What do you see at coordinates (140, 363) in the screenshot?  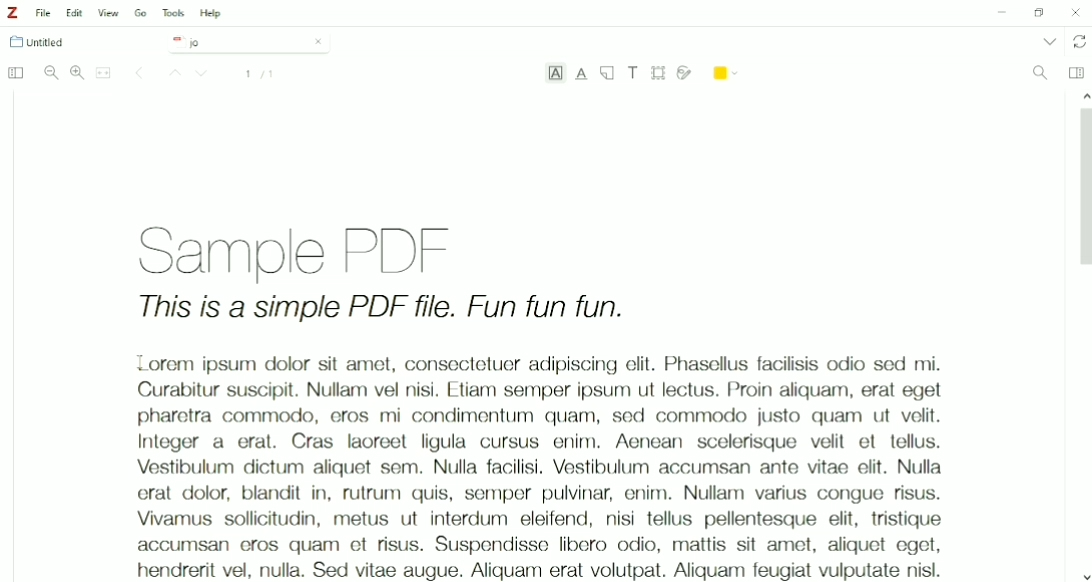 I see `Cursor` at bounding box center [140, 363].